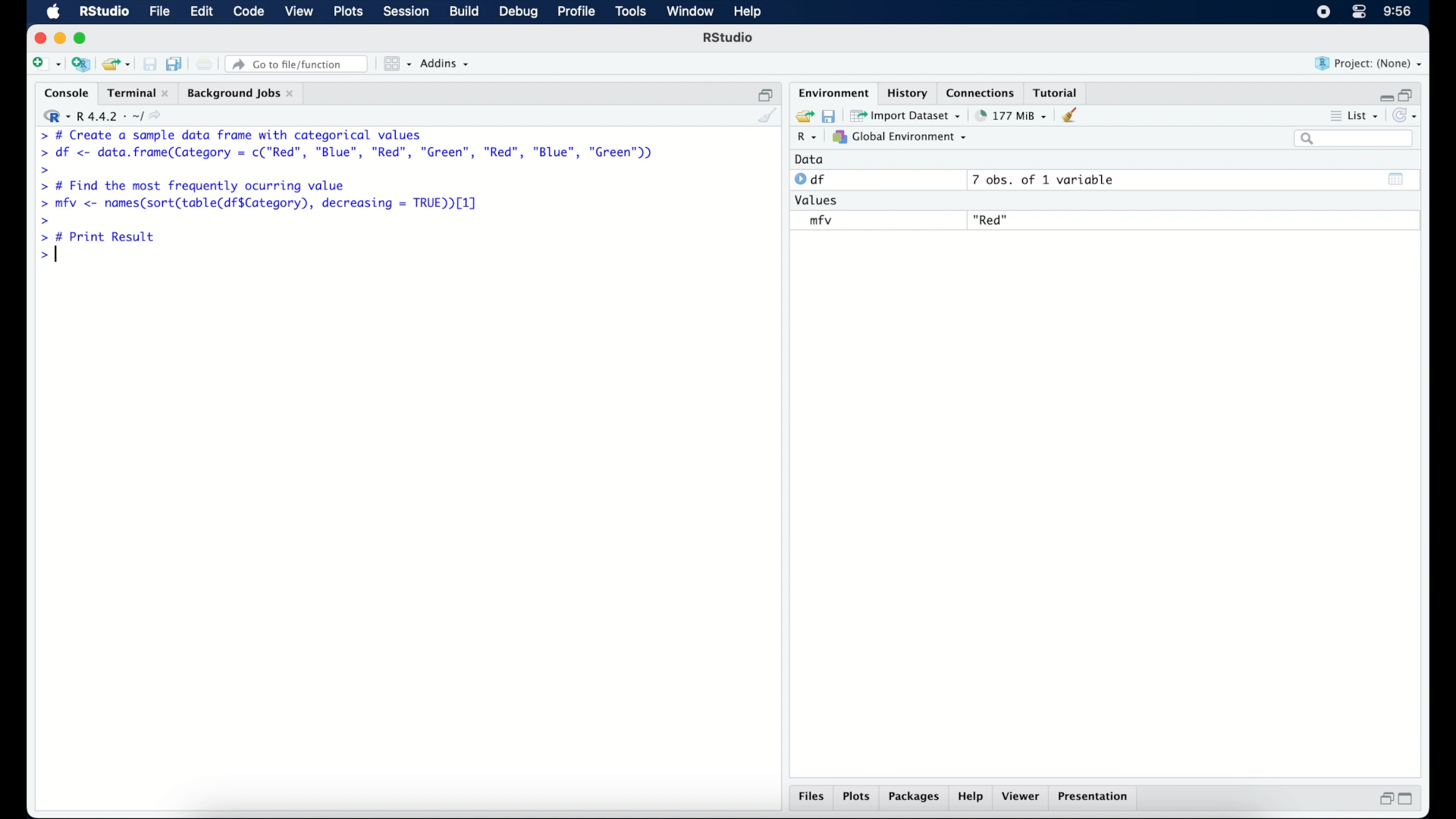  Describe the element at coordinates (517, 13) in the screenshot. I see `debug` at that location.